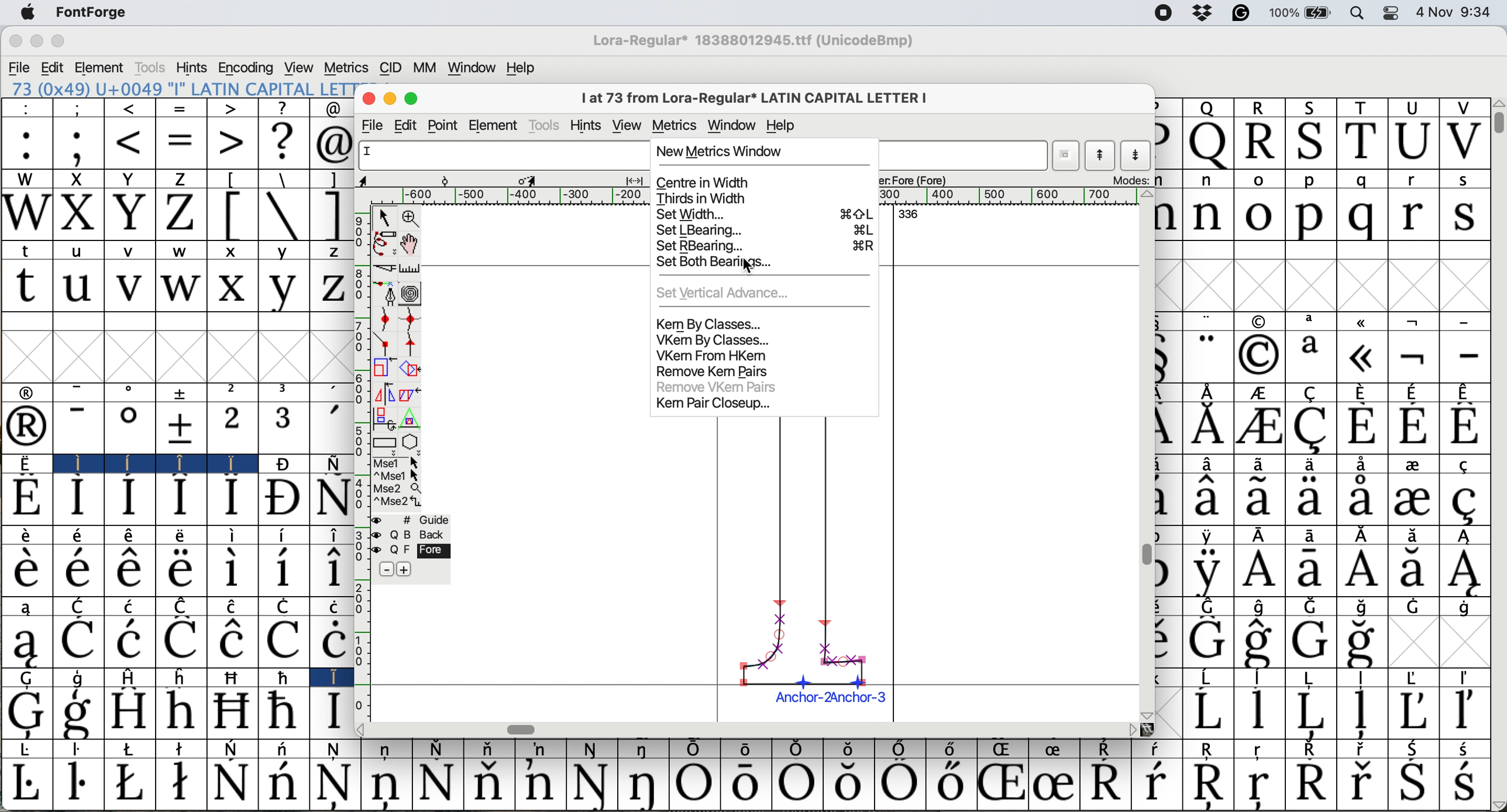 This screenshot has height=812, width=1507. What do you see at coordinates (362, 464) in the screenshot?
I see `vertical scale` at bounding box center [362, 464].